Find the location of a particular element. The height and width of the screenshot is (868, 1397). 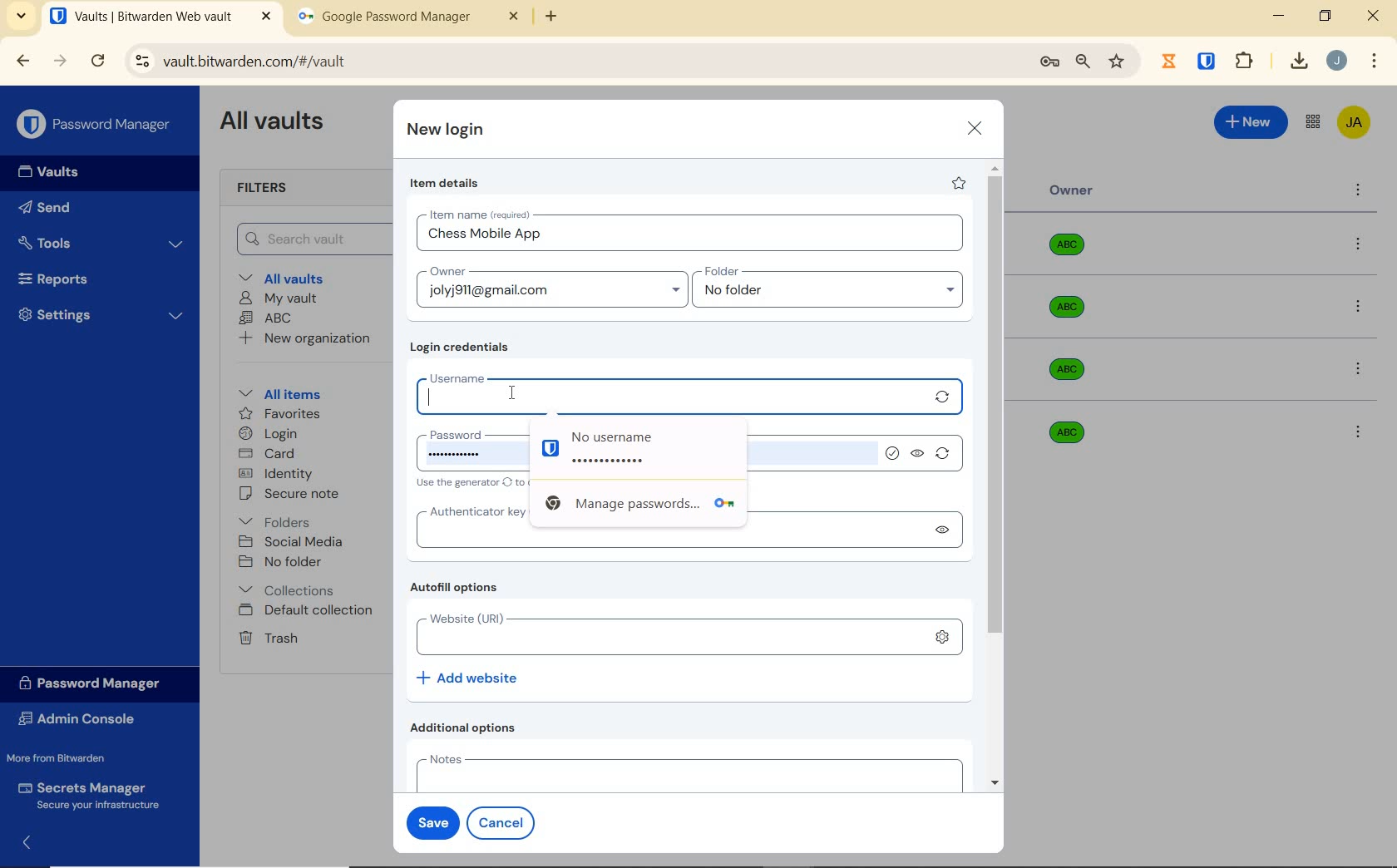

close is located at coordinates (975, 128).